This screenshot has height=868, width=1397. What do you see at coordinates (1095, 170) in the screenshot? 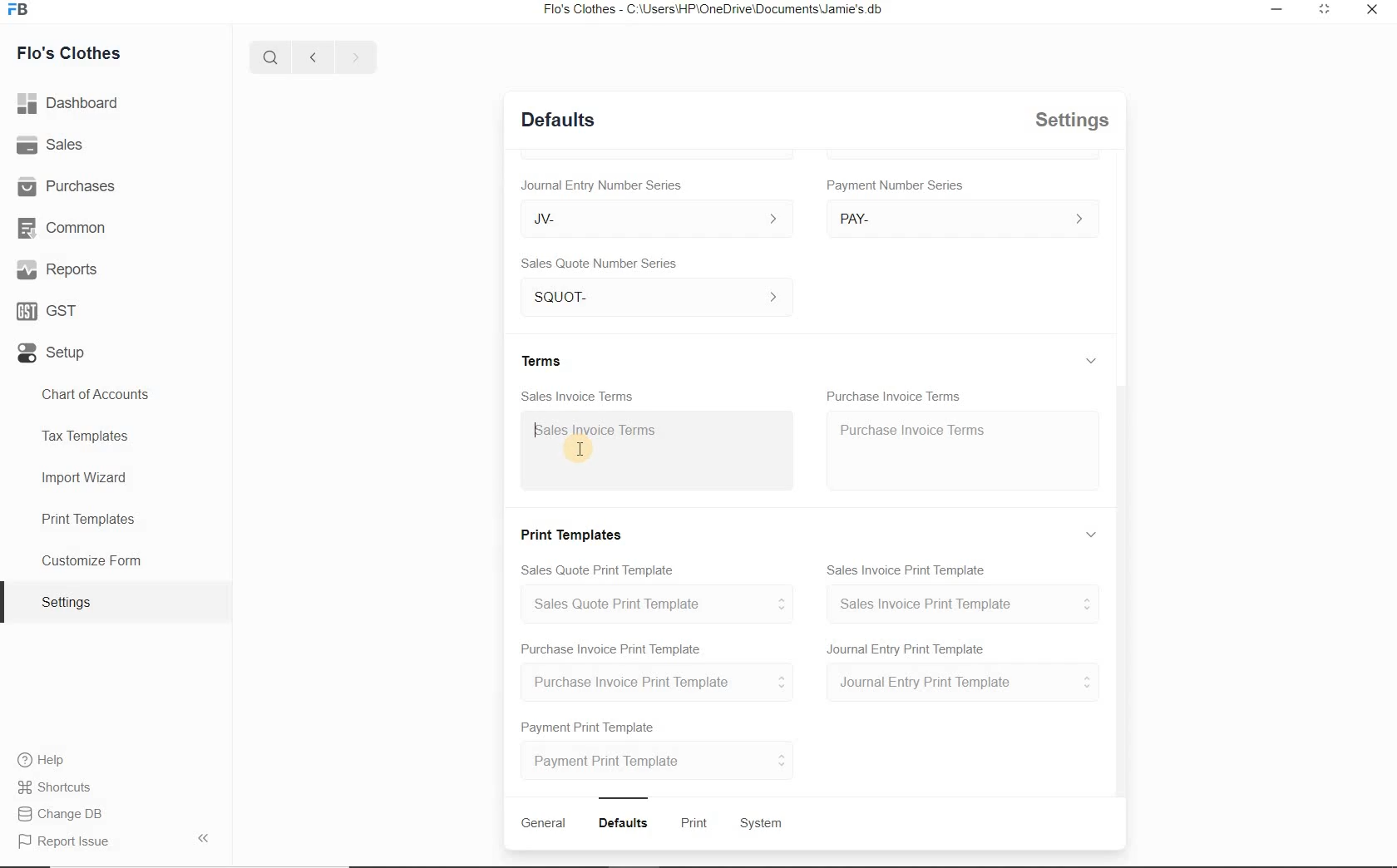
I see `Expand` at bounding box center [1095, 170].